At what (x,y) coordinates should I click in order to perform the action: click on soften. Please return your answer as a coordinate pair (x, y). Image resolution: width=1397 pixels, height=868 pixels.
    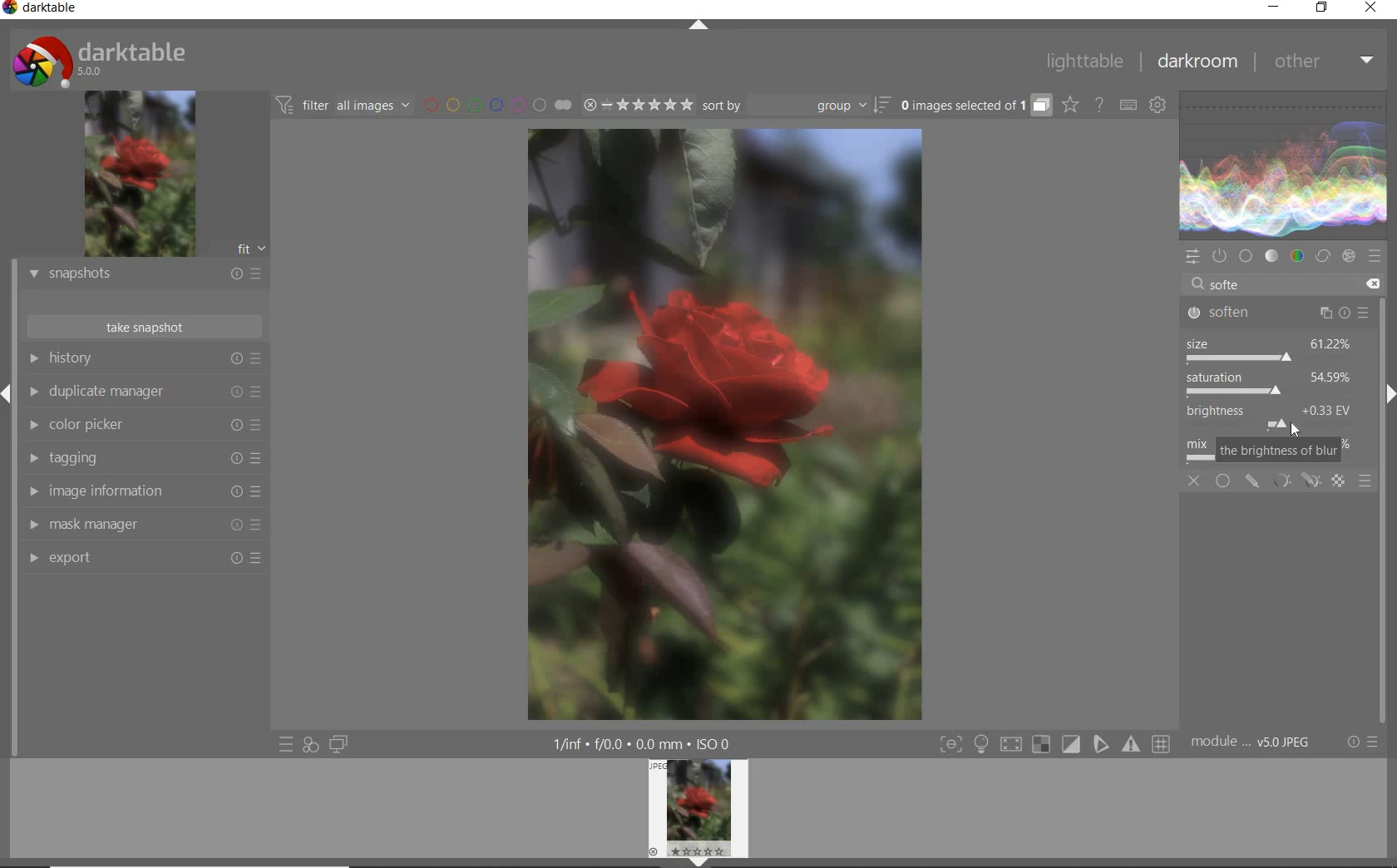
    Looking at the image, I should click on (1281, 312).